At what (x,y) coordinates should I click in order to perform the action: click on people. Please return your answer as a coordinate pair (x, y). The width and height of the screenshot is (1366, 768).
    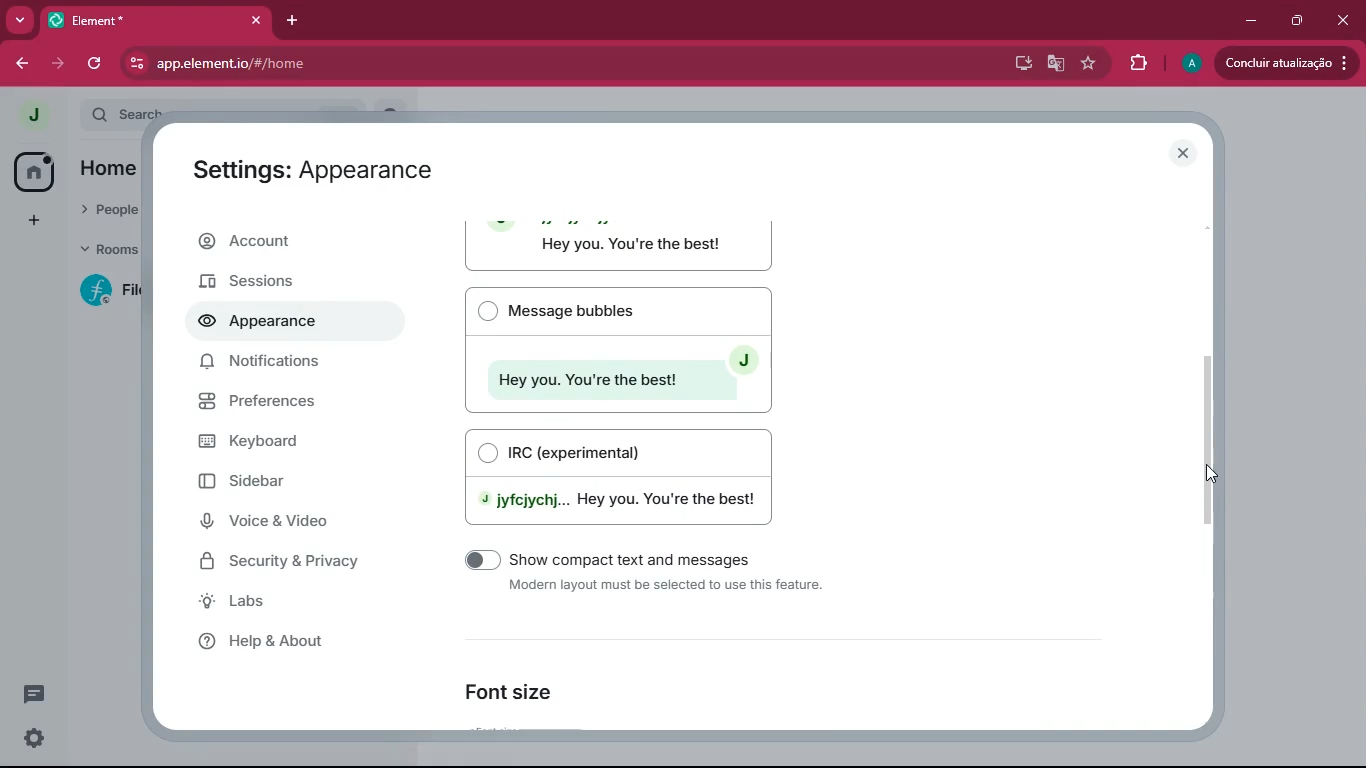
    Looking at the image, I should click on (112, 209).